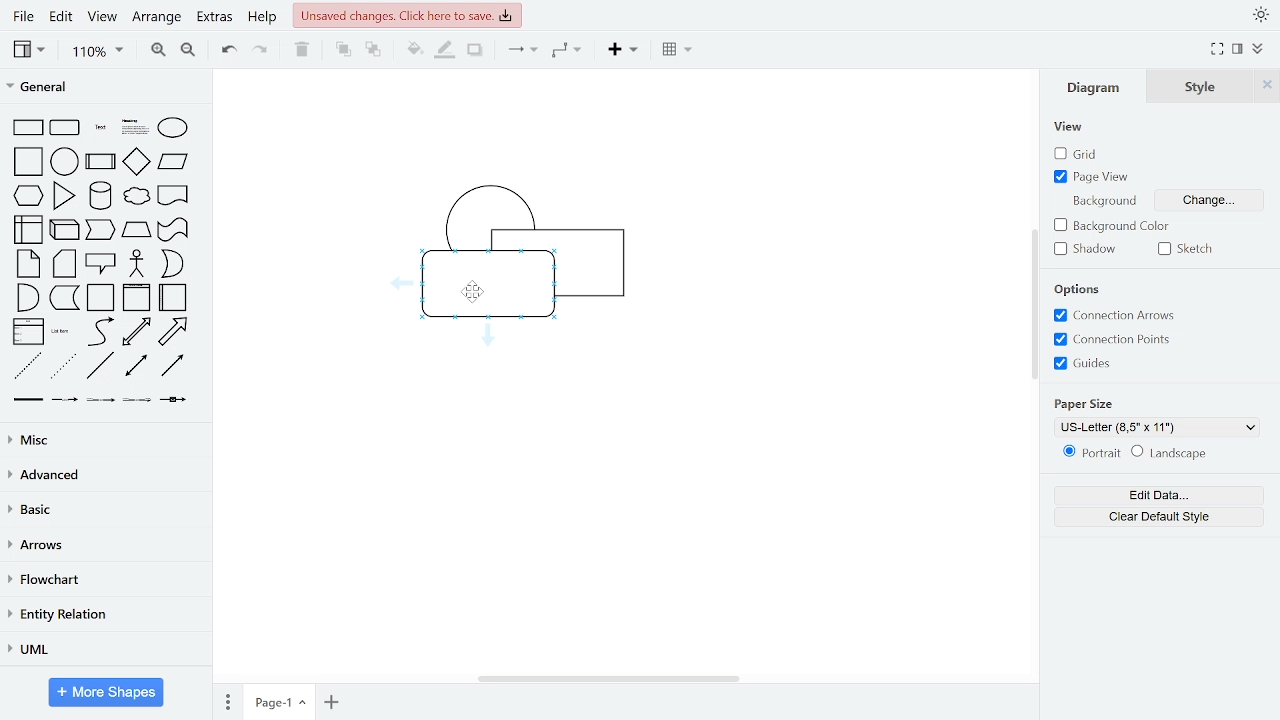  I want to click on horizontal container, so click(172, 298).